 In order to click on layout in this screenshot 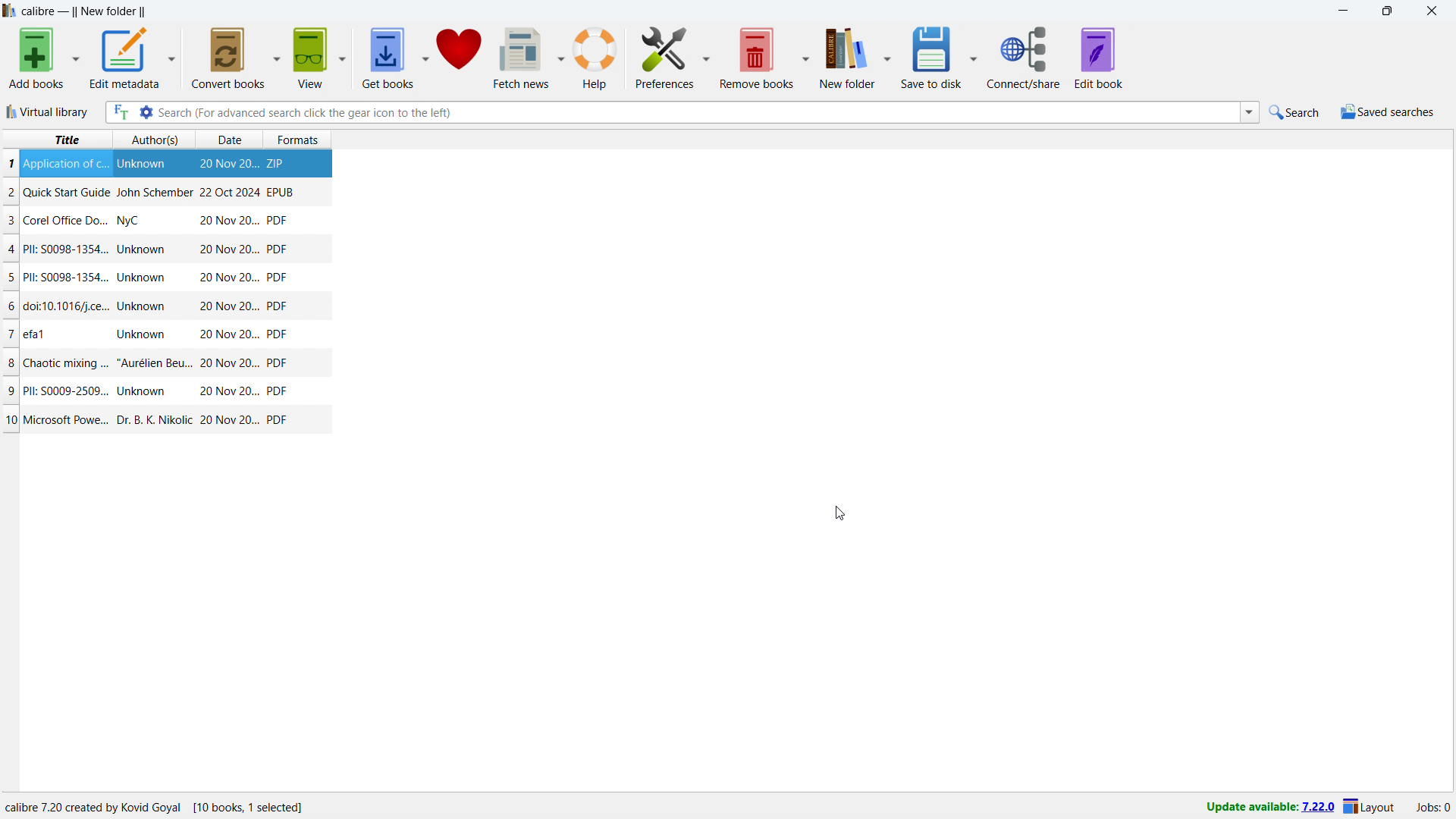, I will do `click(1370, 808)`.